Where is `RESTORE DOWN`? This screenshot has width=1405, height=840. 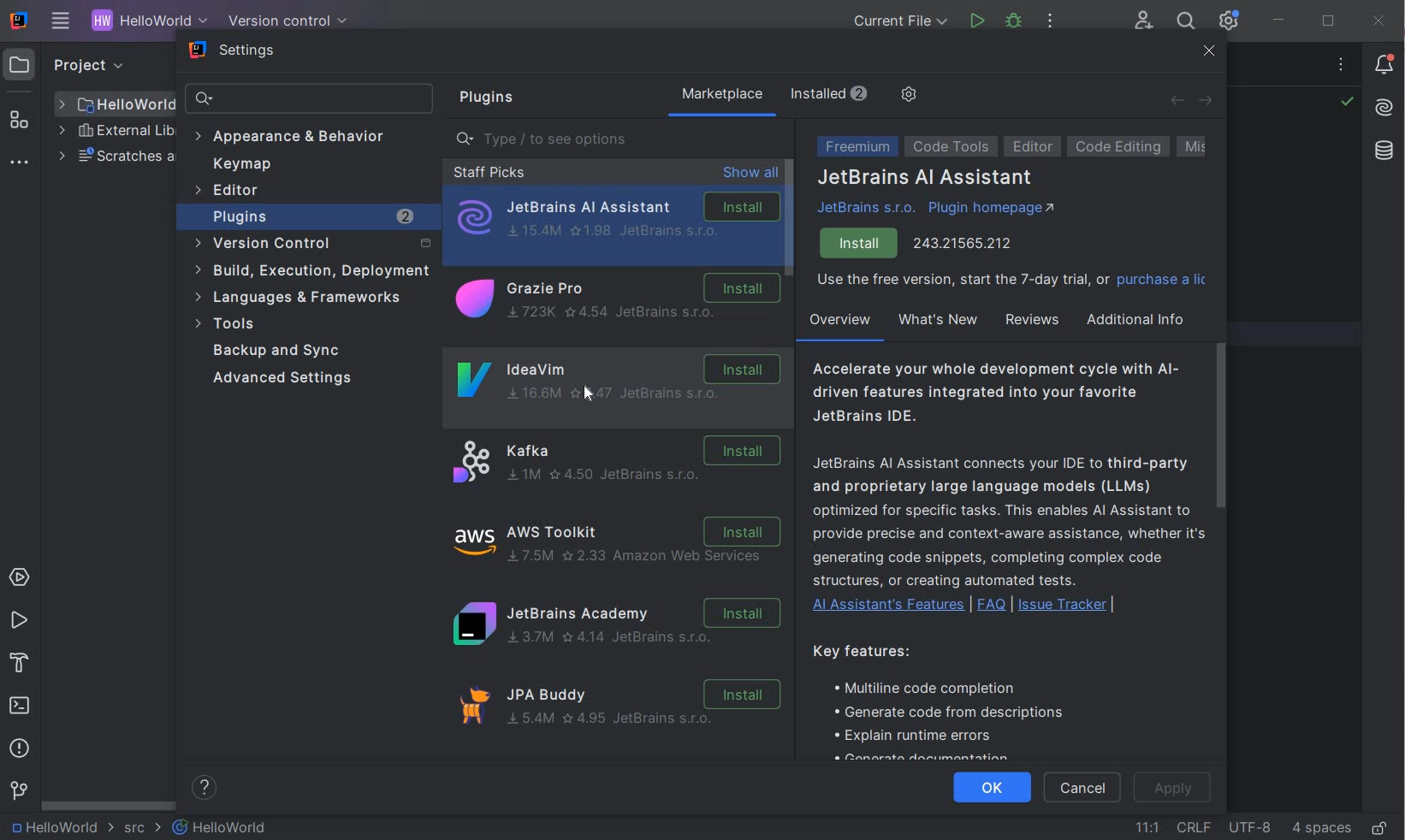 RESTORE DOWN is located at coordinates (1328, 23).